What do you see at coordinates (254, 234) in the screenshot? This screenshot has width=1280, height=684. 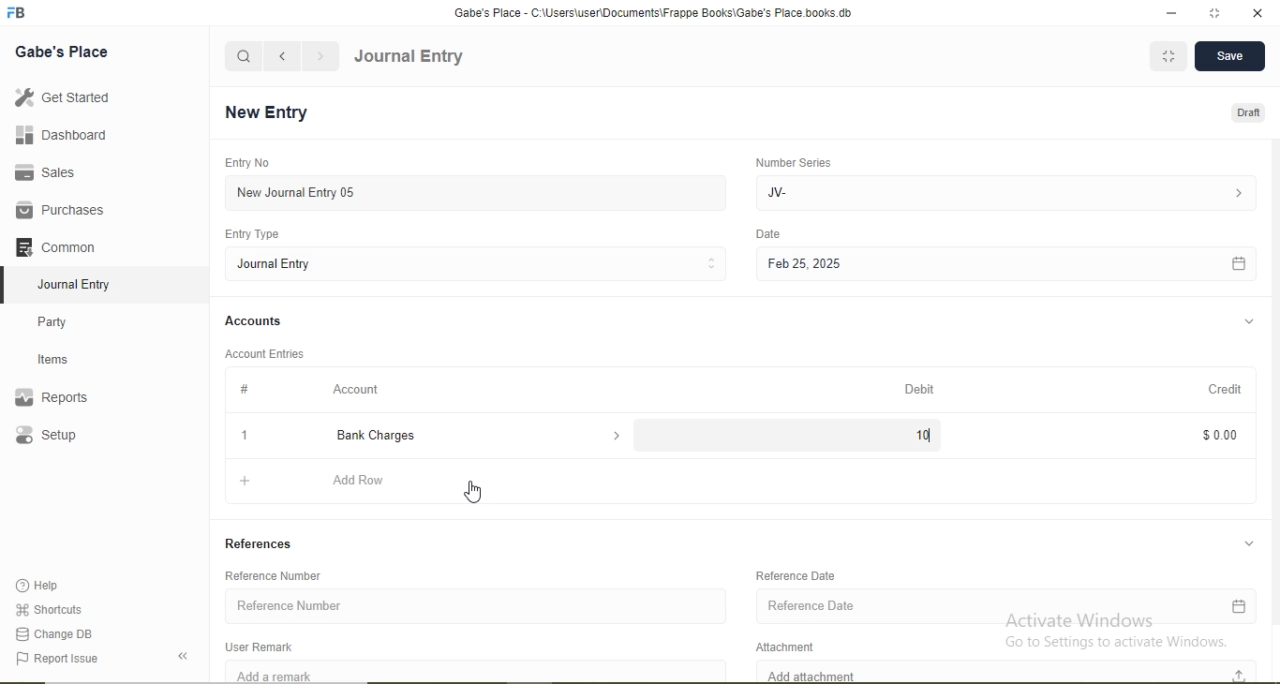 I see `Entry Type` at bounding box center [254, 234].